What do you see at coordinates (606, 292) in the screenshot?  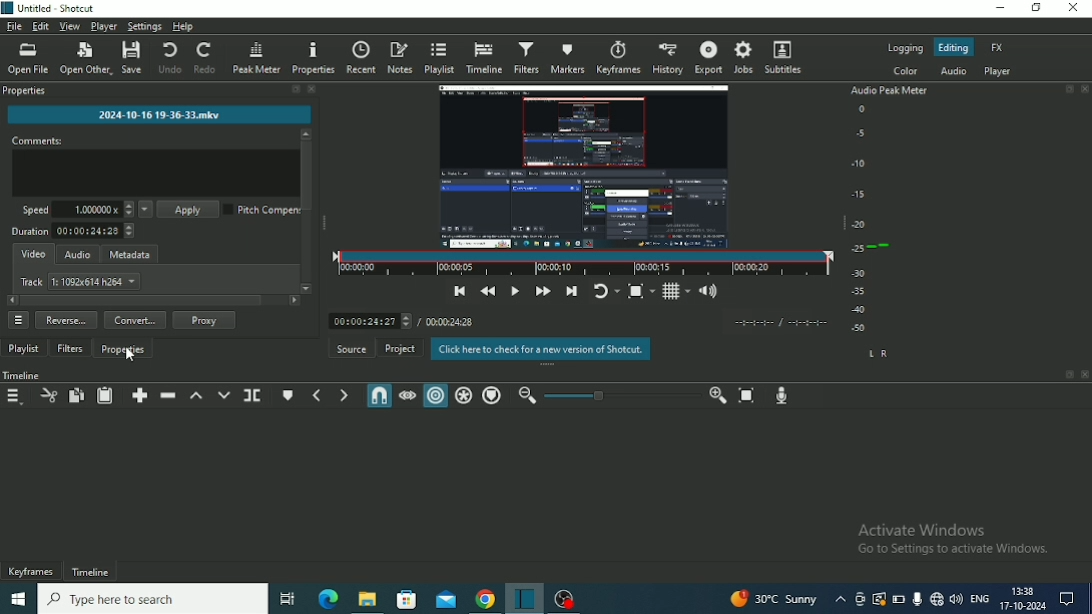 I see `Toggle player looping` at bounding box center [606, 292].